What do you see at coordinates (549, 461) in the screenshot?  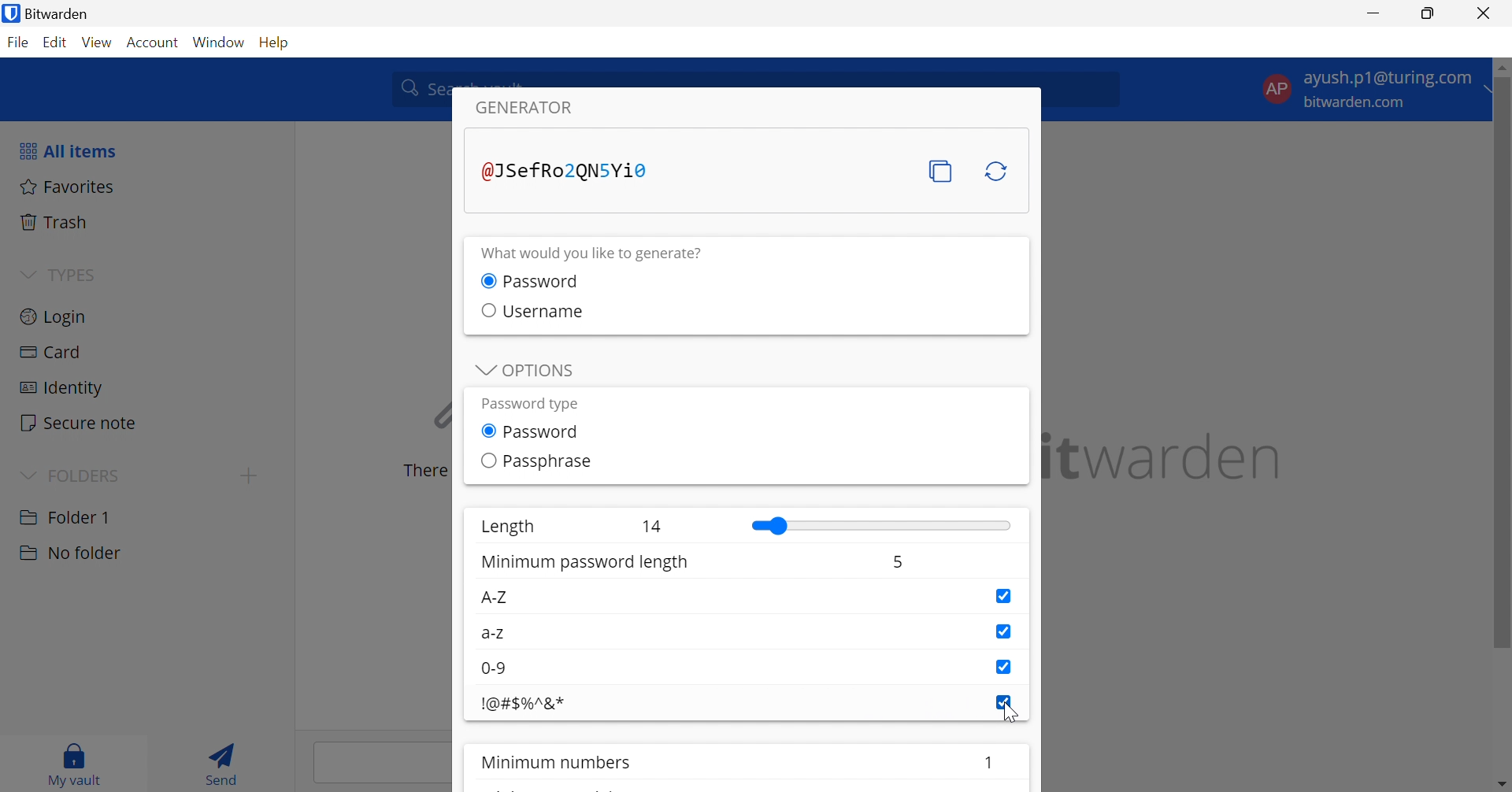 I see `Passphrase` at bounding box center [549, 461].